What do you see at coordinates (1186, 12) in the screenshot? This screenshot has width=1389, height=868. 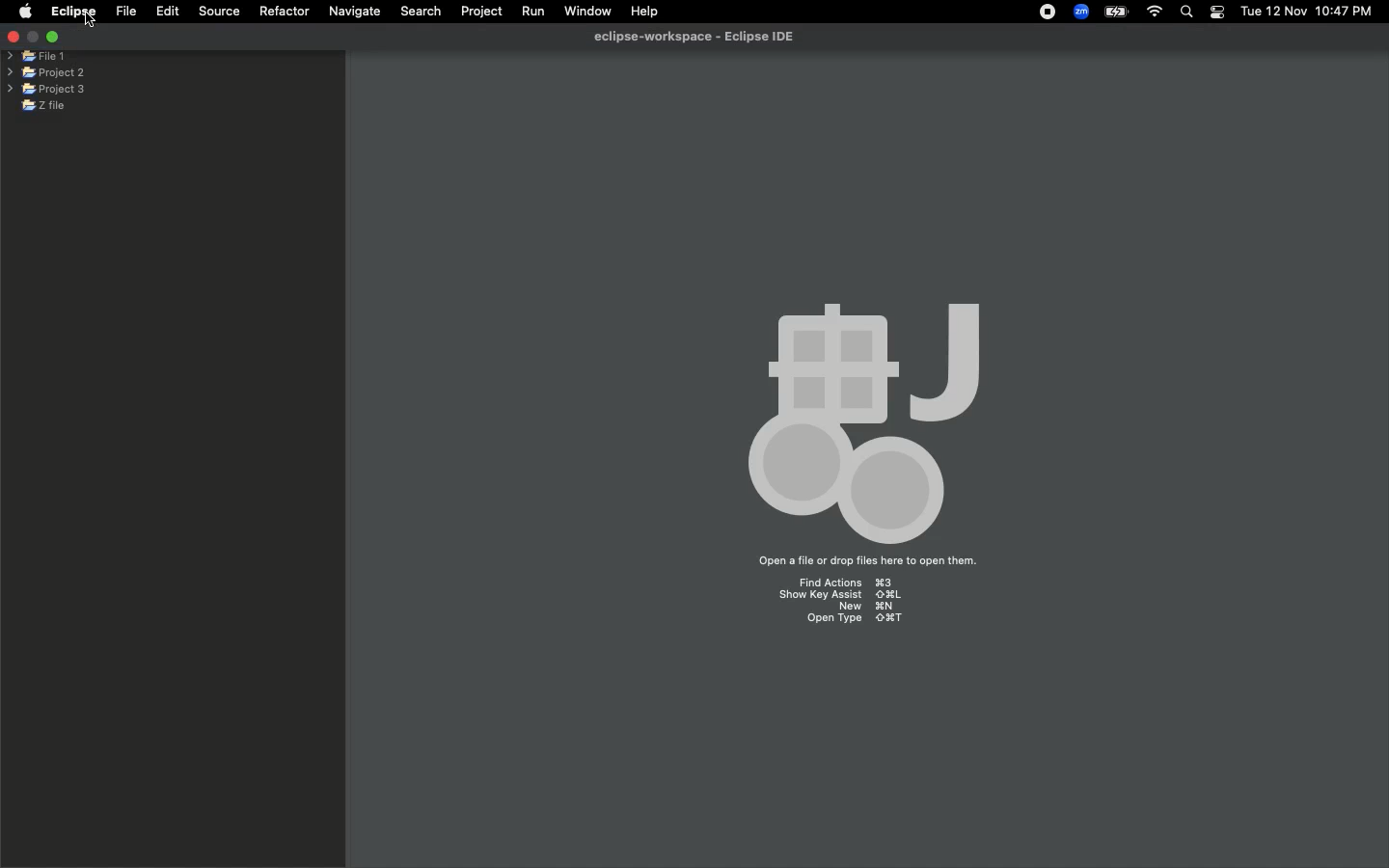 I see `Search` at bounding box center [1186, 12].